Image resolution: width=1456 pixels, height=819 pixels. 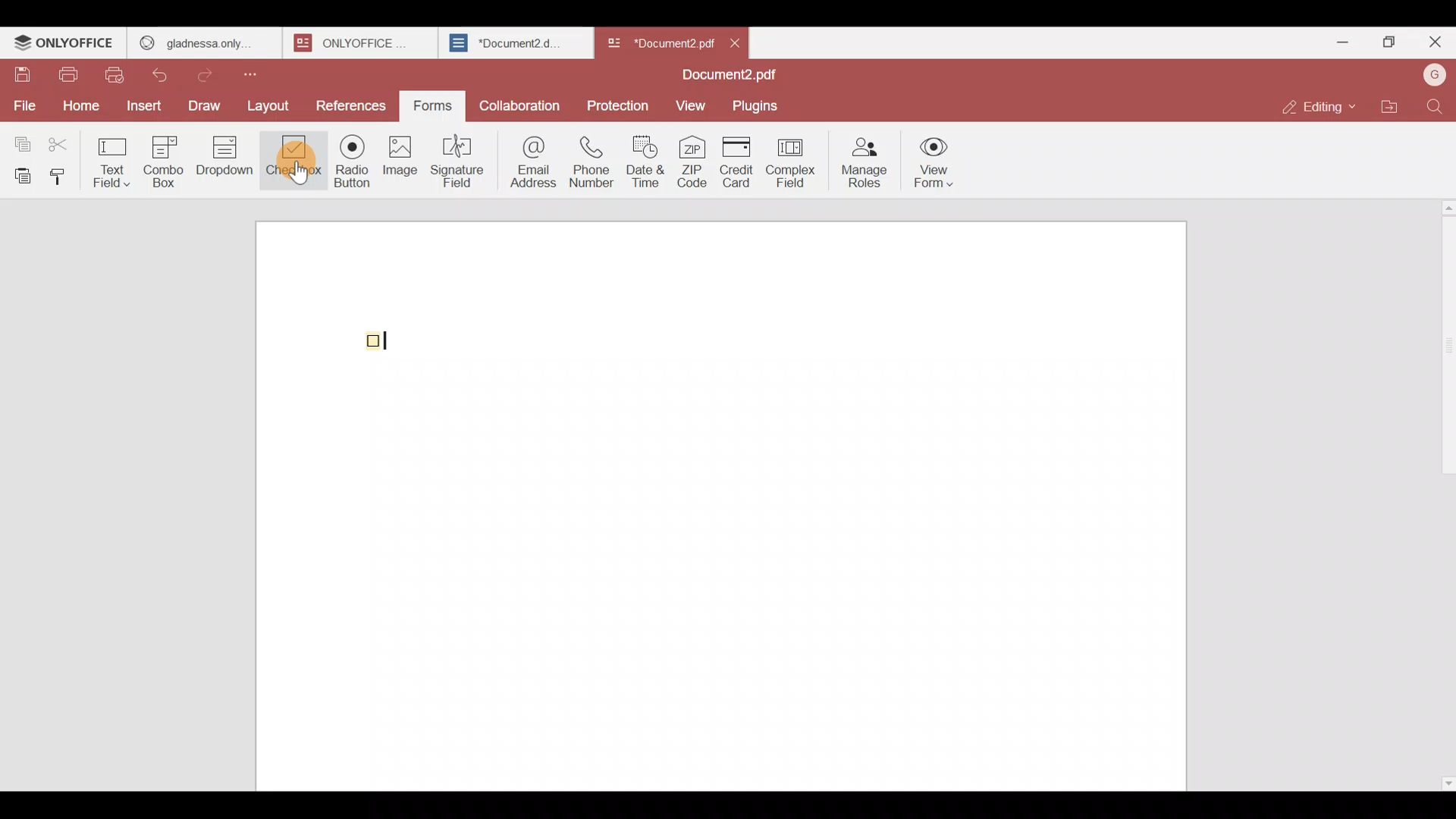 What do you see at coordinates (521, 102) in the screenshot?
I see `Collaboration` at bounding box center [521, 102].